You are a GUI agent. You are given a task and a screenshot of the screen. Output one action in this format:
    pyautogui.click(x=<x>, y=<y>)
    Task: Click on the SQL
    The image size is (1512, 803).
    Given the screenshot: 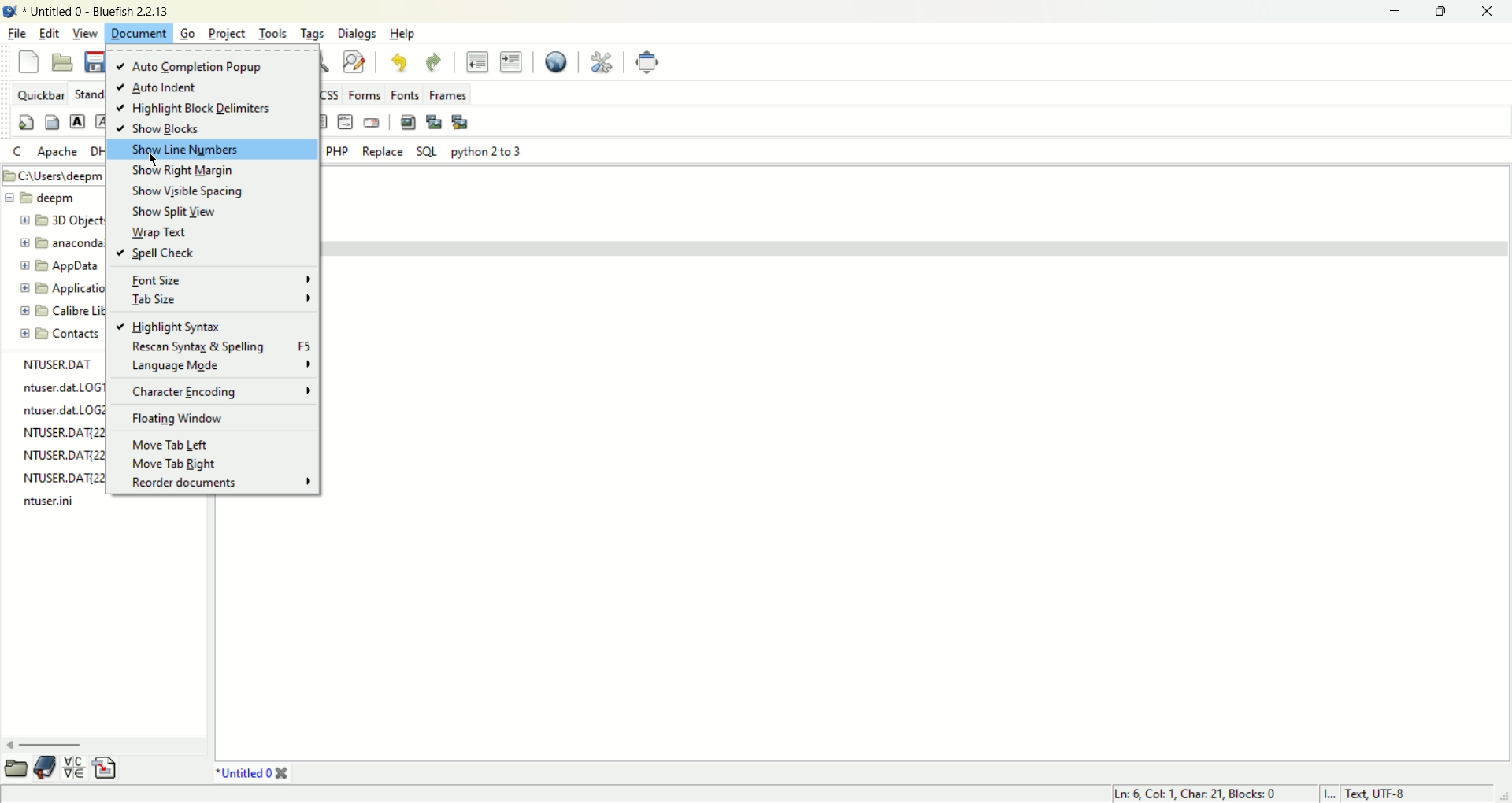 What is the action you would take?
    pyautogui.click(x=426, y=153)
    